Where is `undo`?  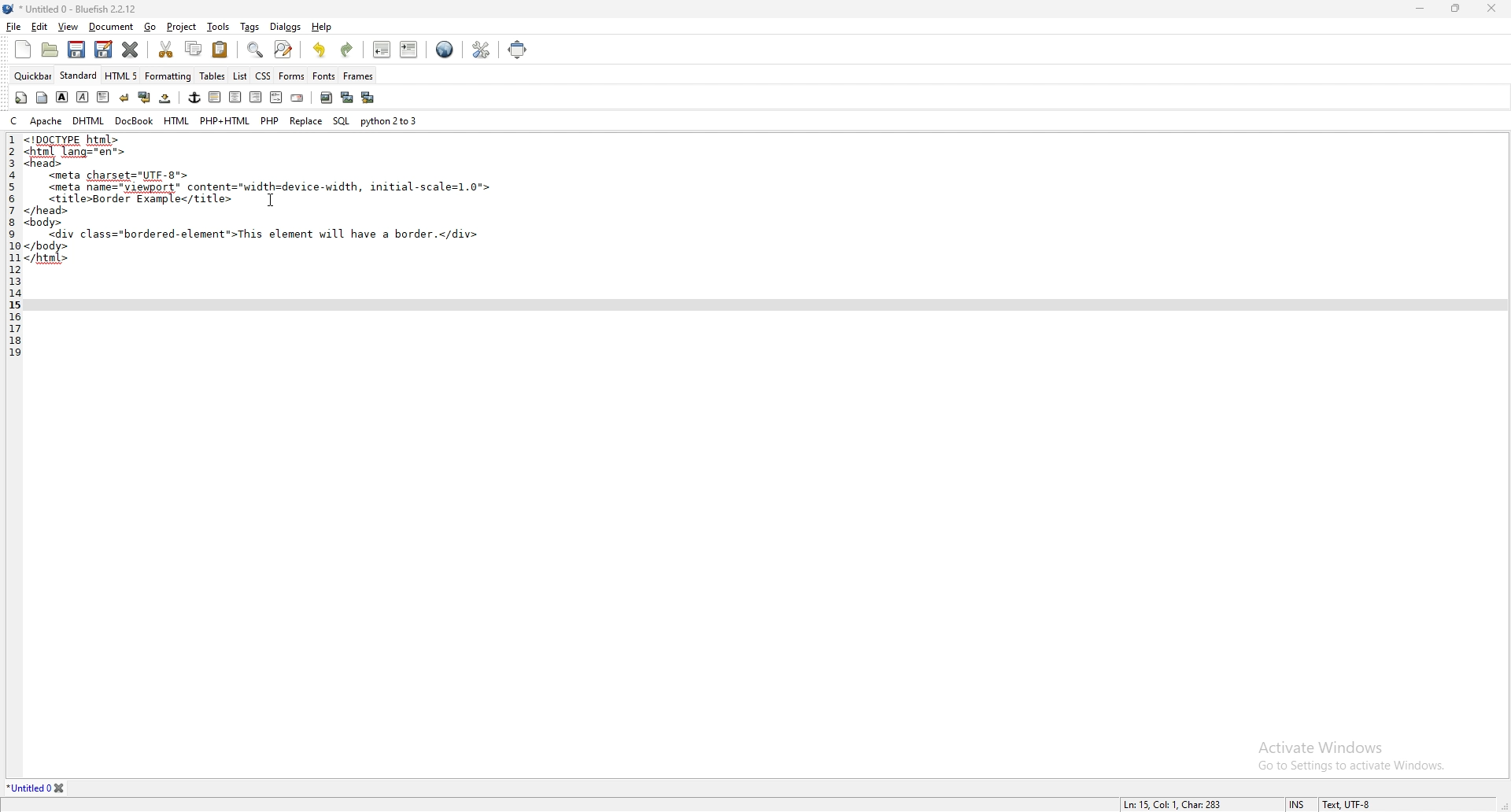 undo is located at coordinates (320, 50).